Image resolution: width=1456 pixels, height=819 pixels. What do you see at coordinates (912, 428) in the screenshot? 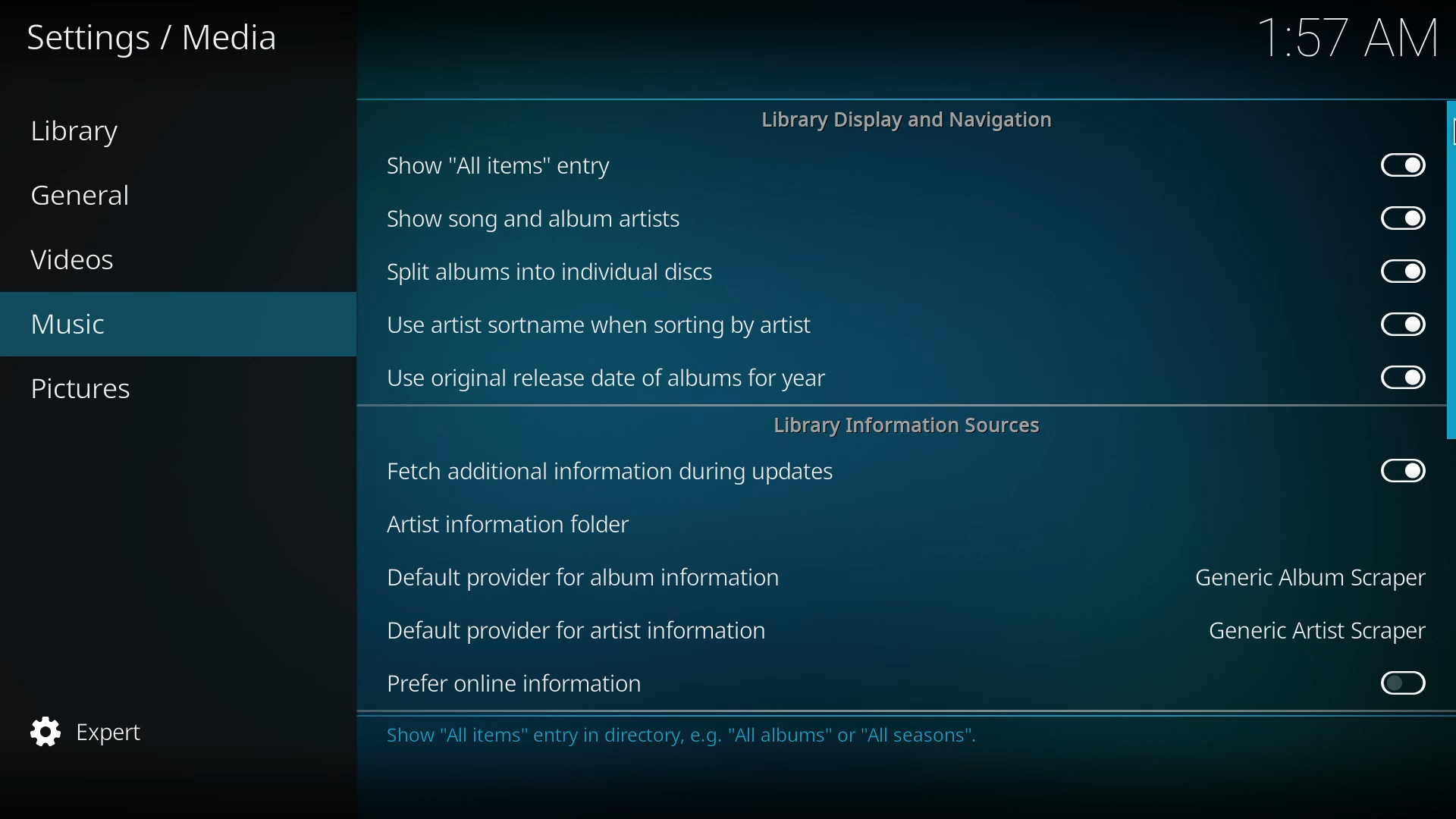
I see `library info sources` at bounding box center [912, 428].